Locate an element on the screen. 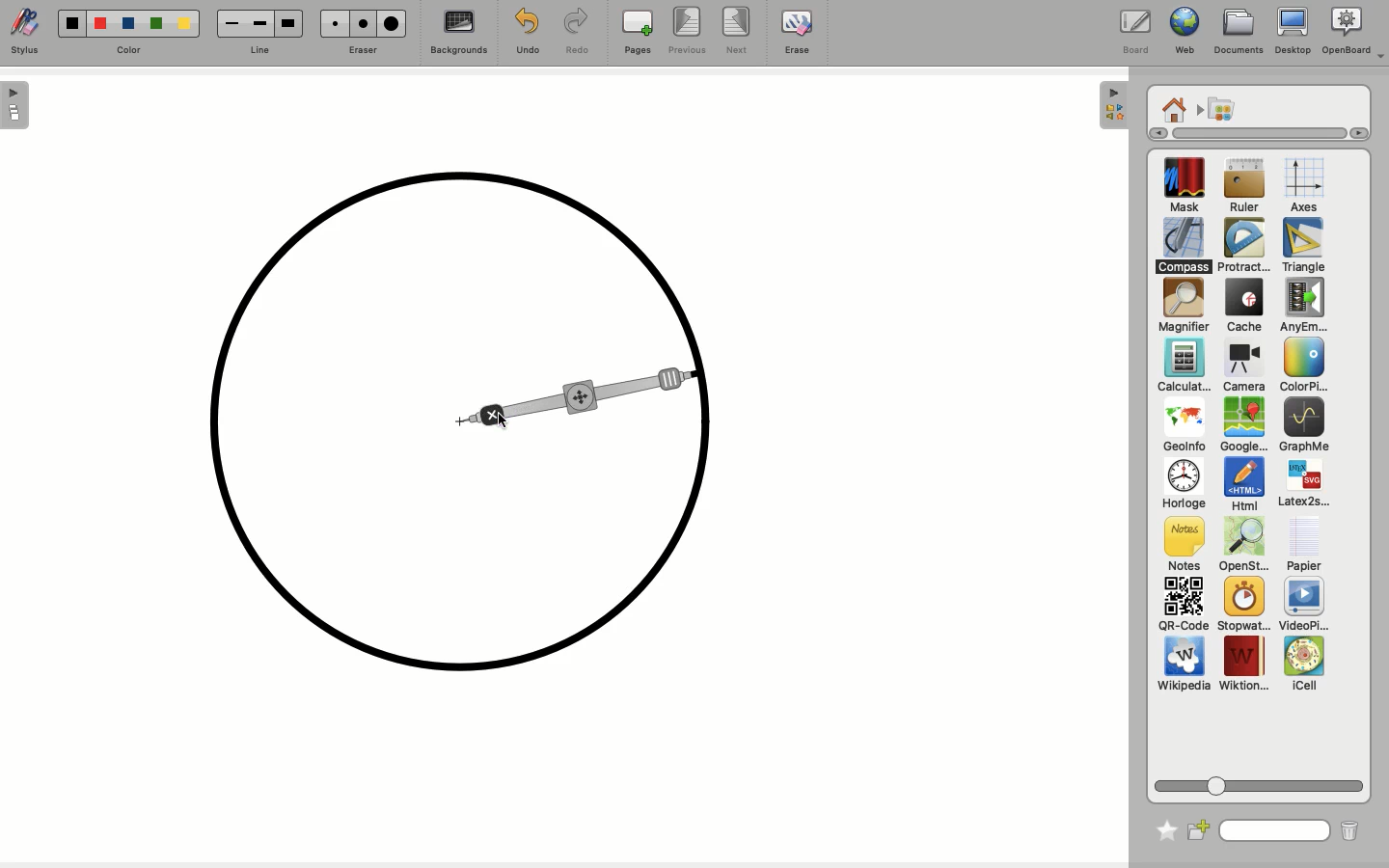 The width and height of the screenshot is (1389, 868). Triangle is located at coordinates (1301, 246).